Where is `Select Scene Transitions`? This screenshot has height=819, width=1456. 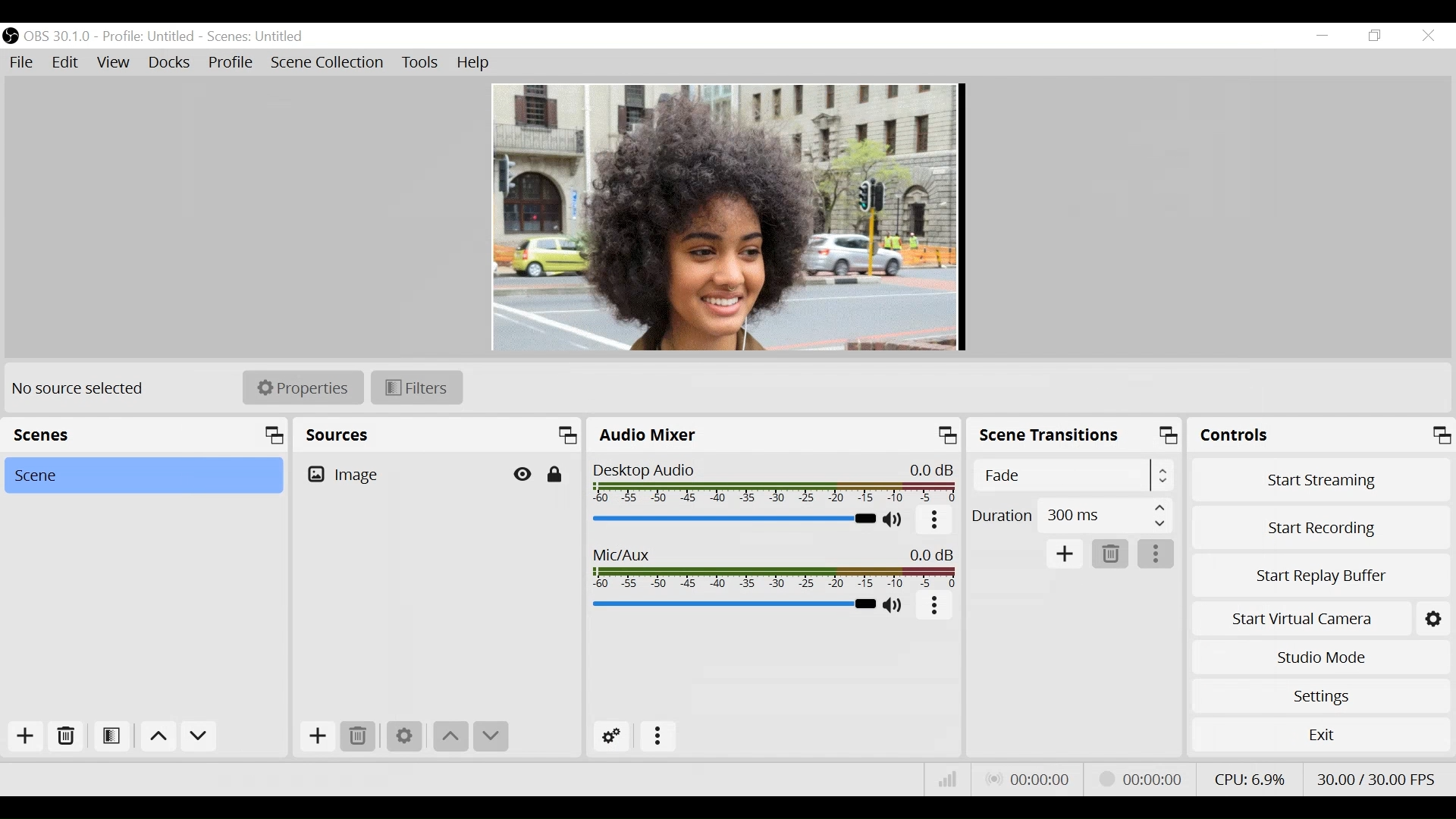 Select Scene Transitions is located at coordinates (1073, 475).